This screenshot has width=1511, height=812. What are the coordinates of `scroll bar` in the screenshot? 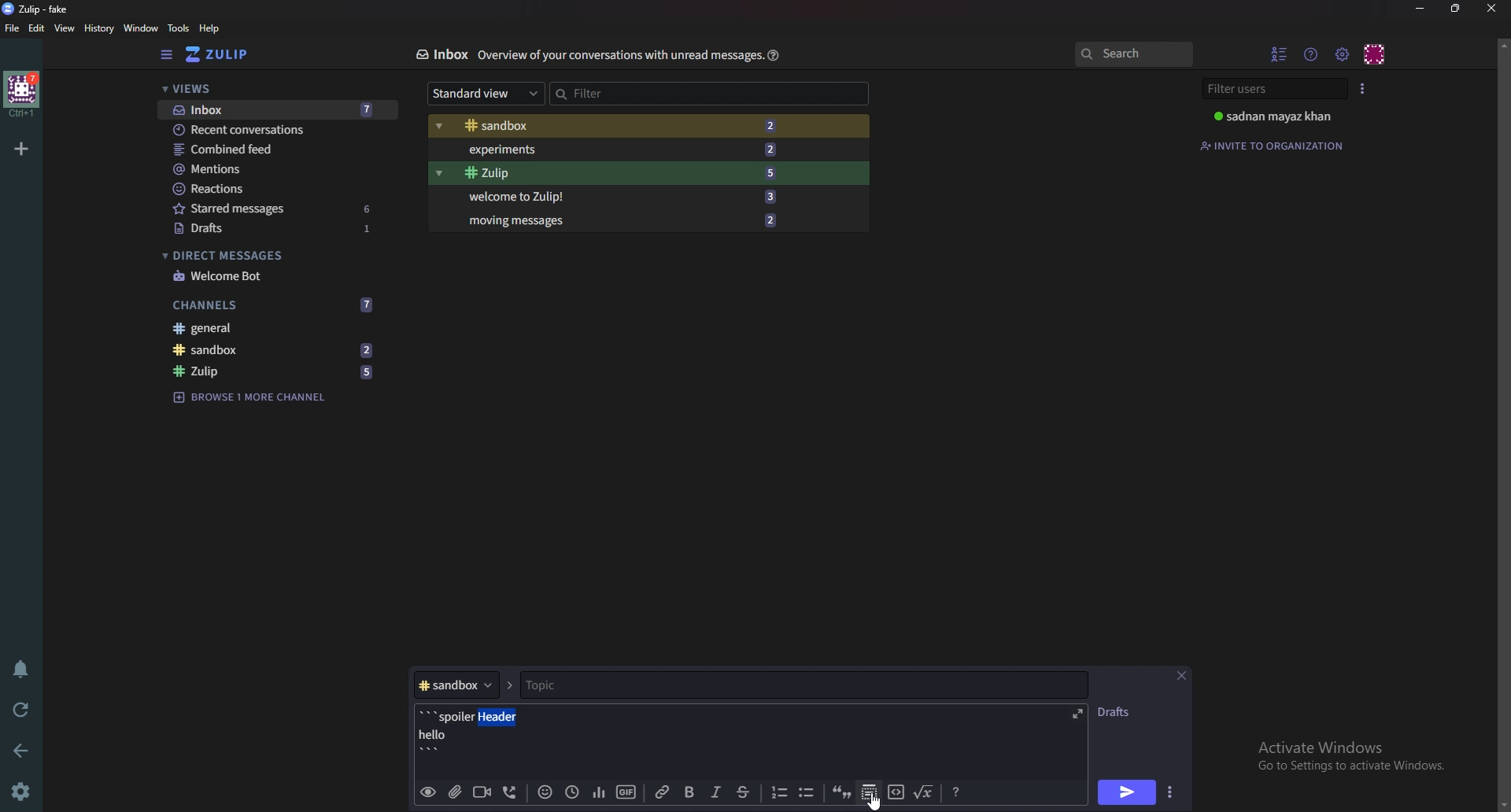 It's located at (1502, 423).